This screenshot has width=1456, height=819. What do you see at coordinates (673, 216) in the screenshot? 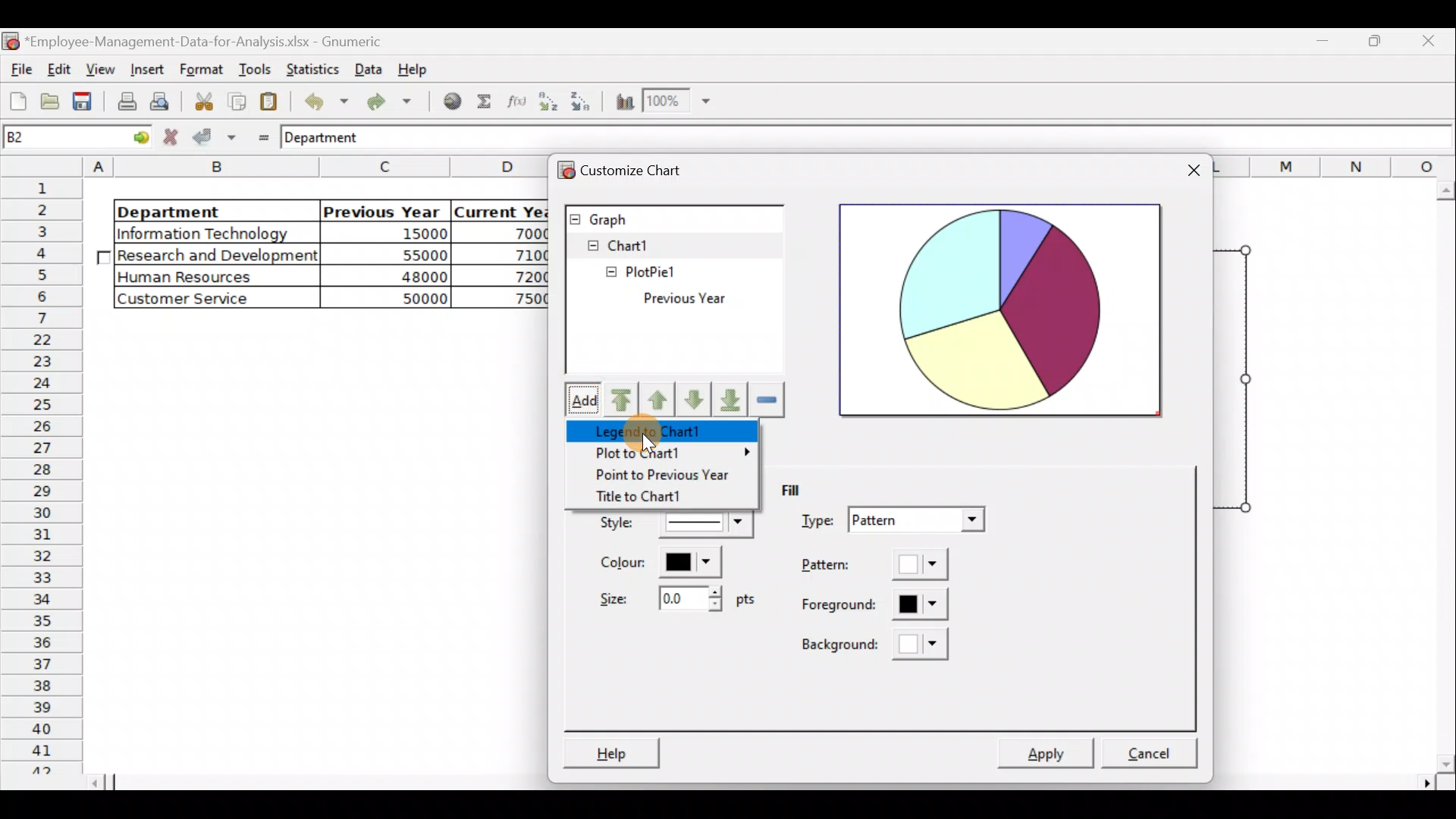
I see `Graph` at bounding box center [673, 216].